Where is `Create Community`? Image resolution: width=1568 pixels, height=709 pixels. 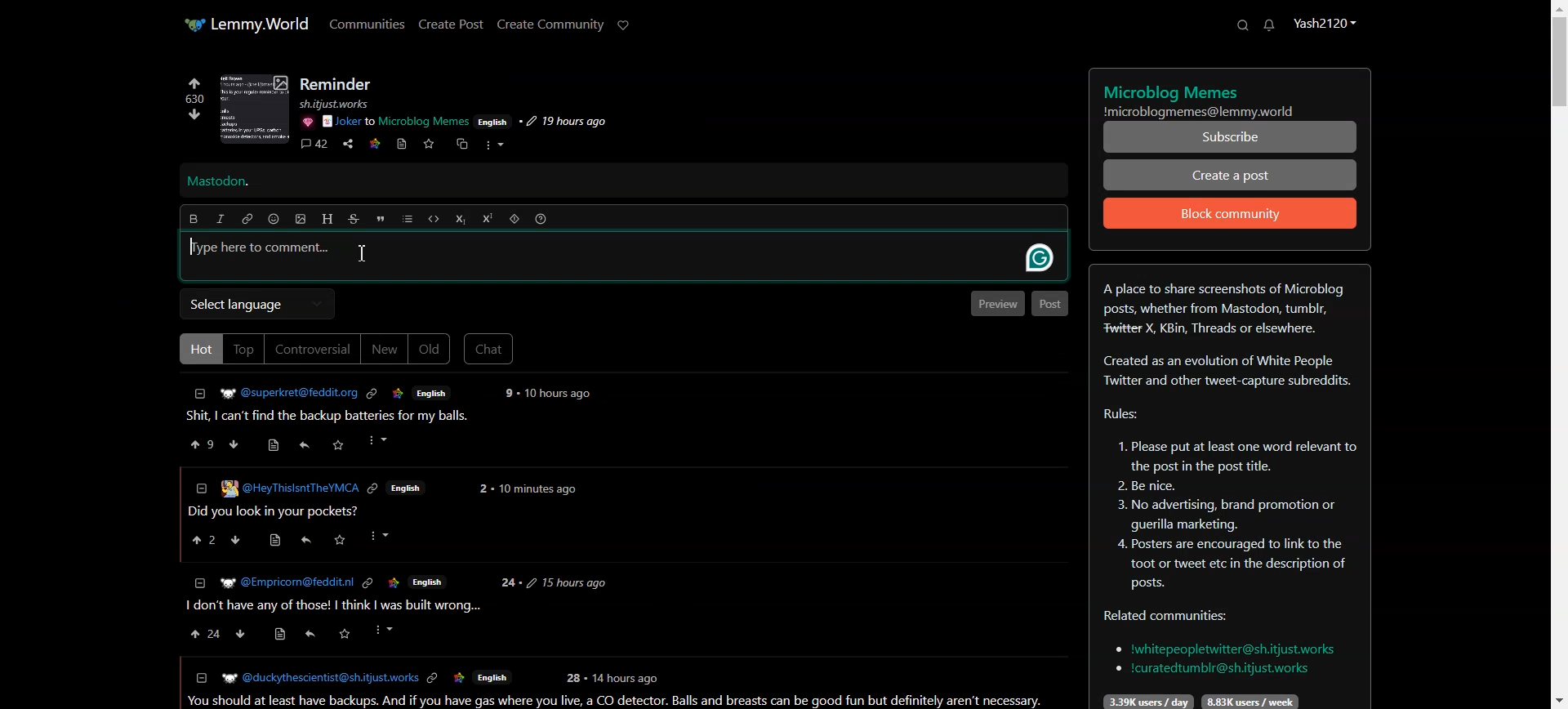
Create Community is located at coordinates (550, 25).